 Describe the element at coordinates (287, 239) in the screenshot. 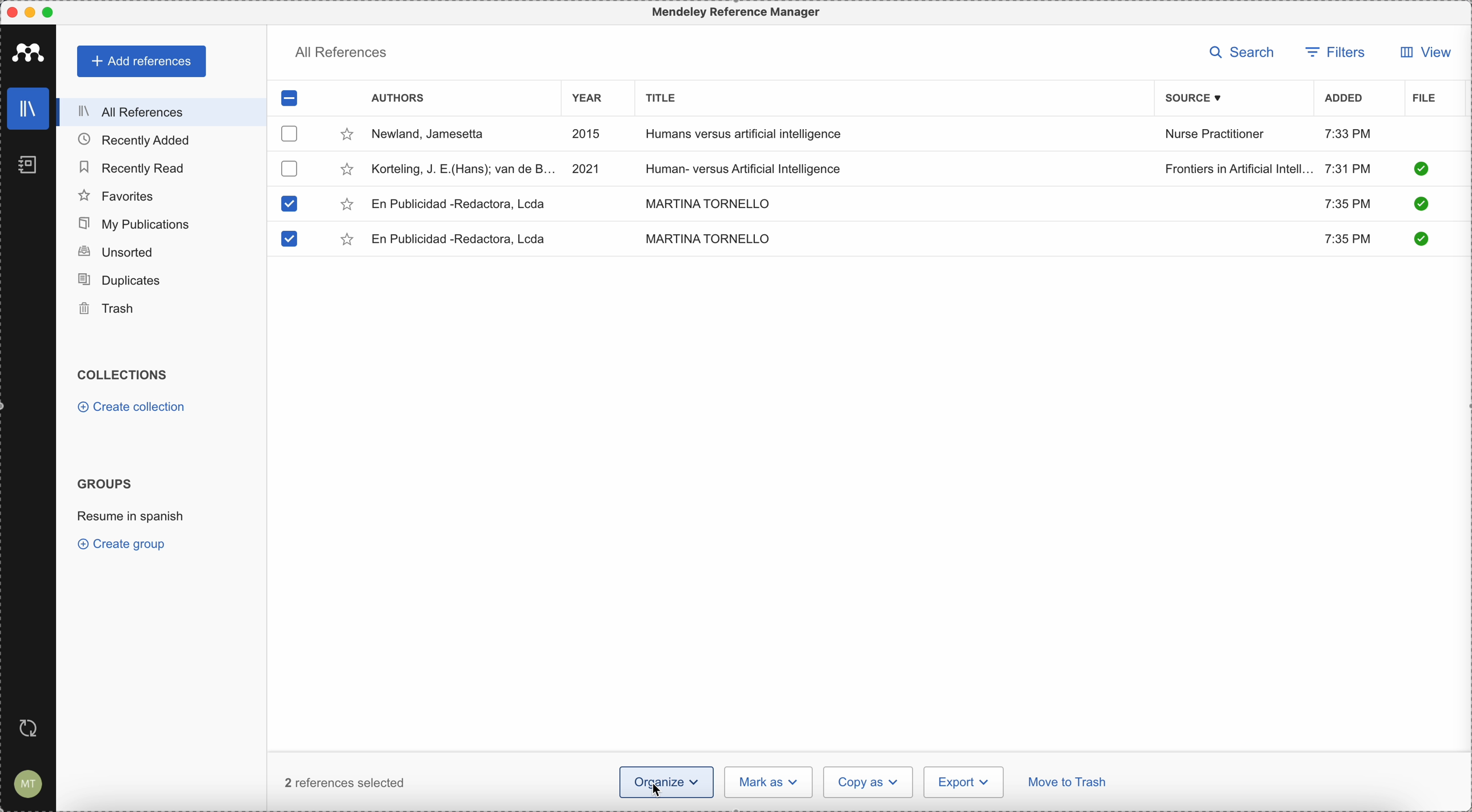

I see `checkbox selected` at that location.